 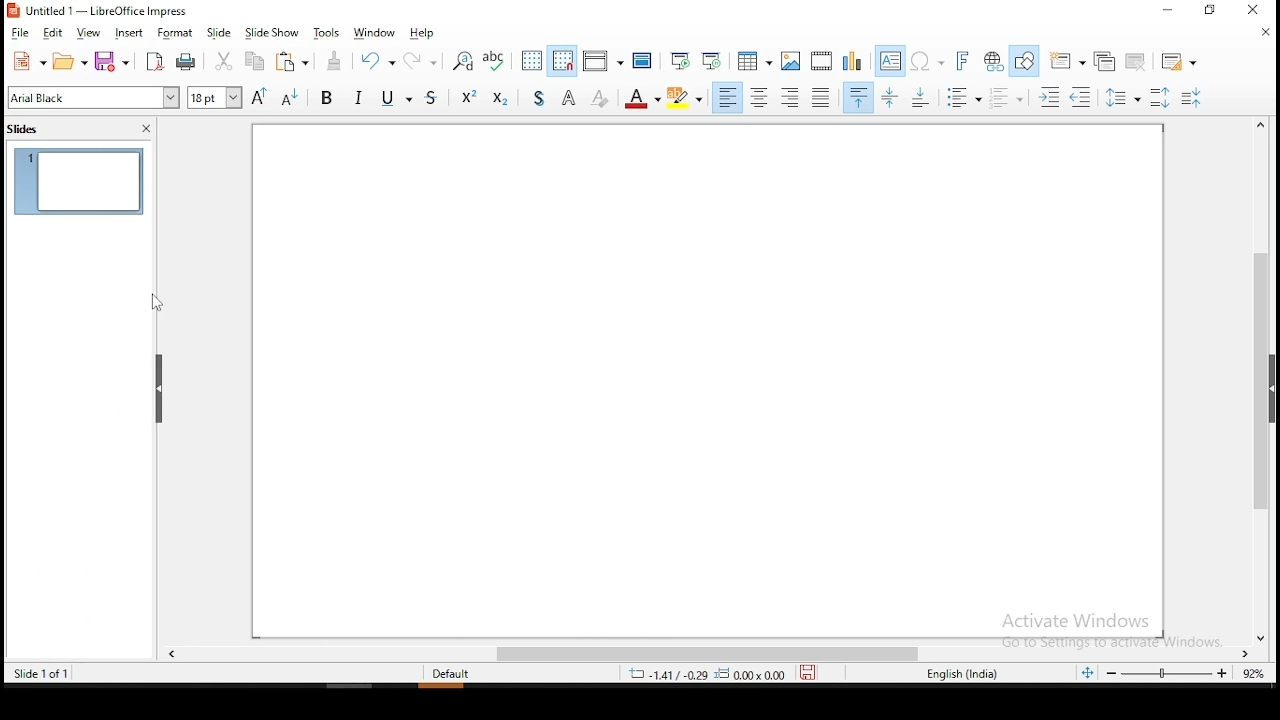 I want to click on edit, so click(x=56, y=33).